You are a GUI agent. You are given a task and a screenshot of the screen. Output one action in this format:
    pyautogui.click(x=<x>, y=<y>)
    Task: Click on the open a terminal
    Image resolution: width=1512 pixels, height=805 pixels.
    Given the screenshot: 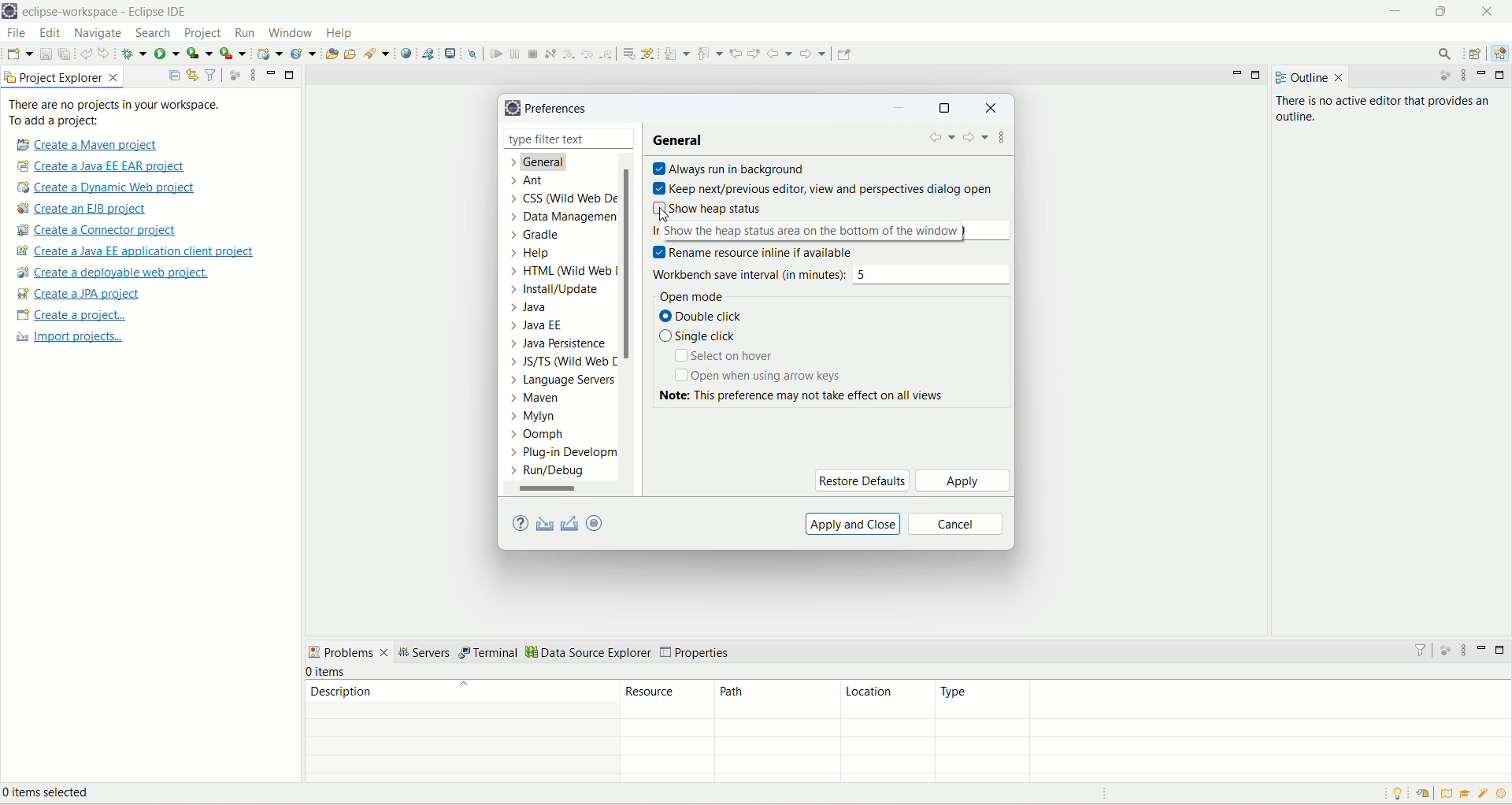 What is the action you would take?
    pyautogui.click(x=452, y=52)
    